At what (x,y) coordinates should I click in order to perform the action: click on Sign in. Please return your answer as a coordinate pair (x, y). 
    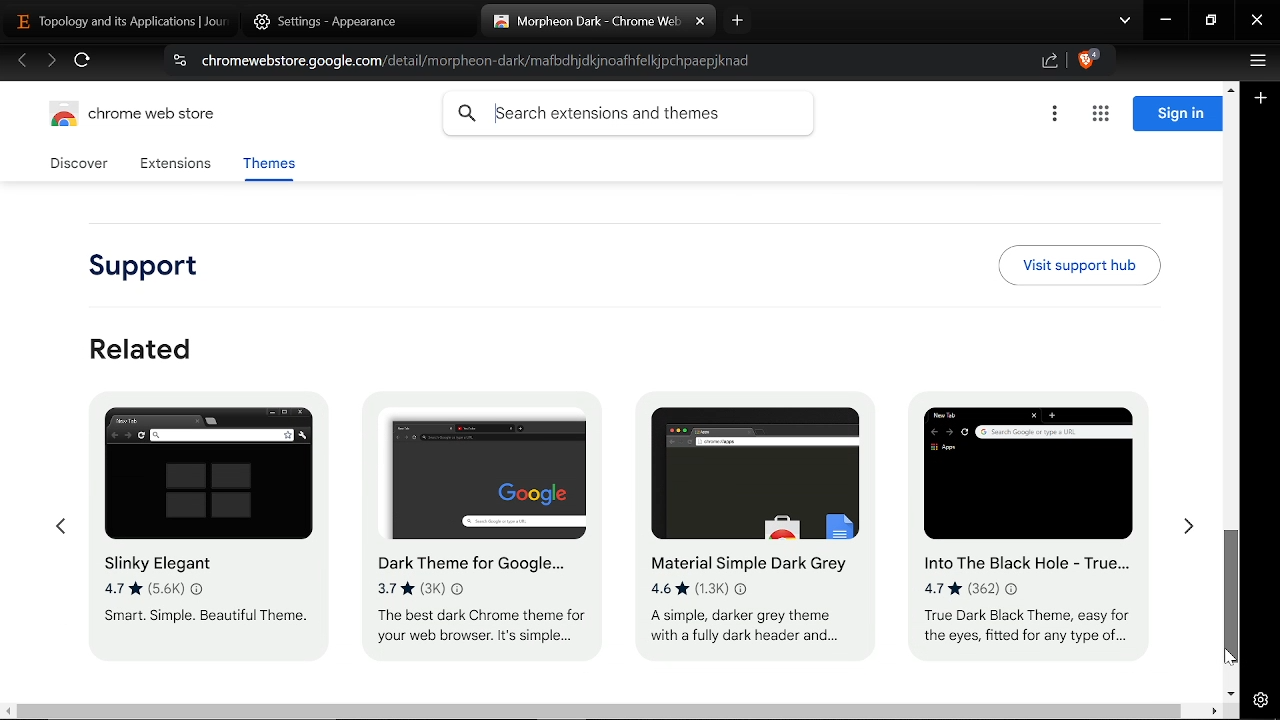
    Looking at the image, I should click on (1177, 114).